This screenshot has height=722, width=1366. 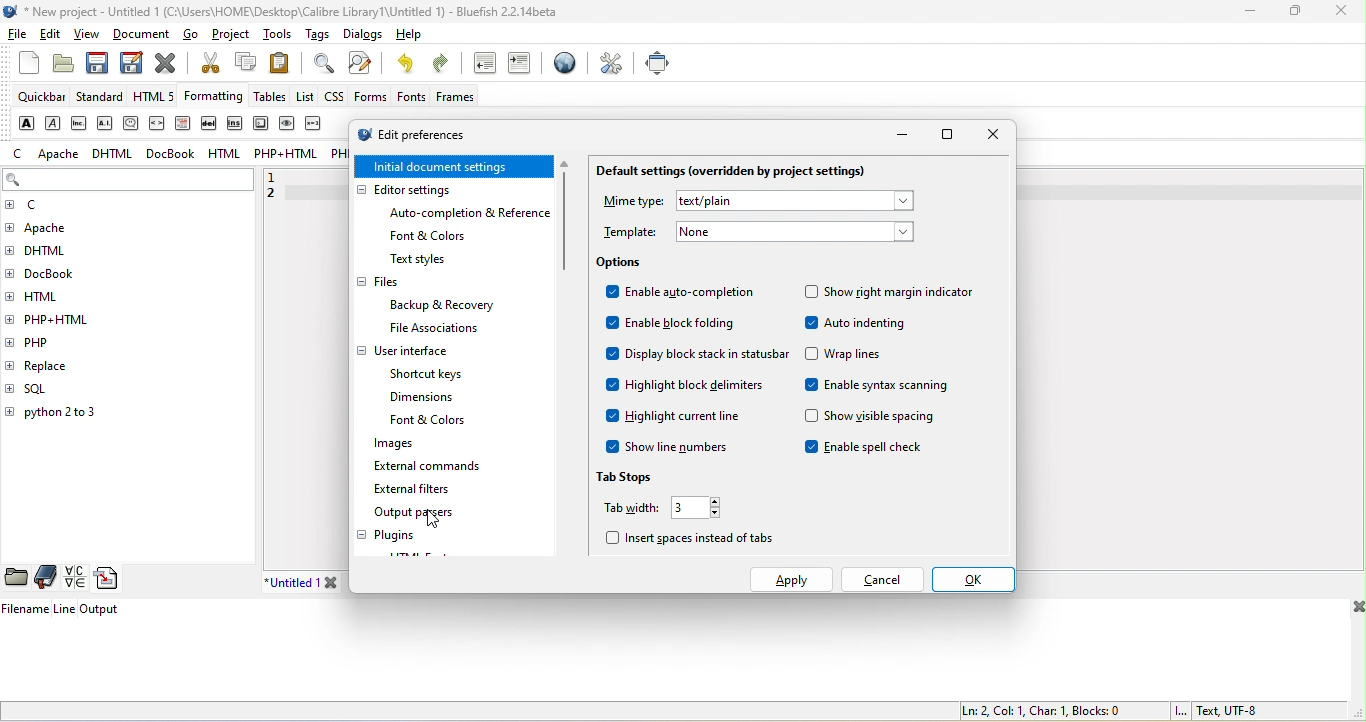 I want to click on css, so click(x=335, y=99).